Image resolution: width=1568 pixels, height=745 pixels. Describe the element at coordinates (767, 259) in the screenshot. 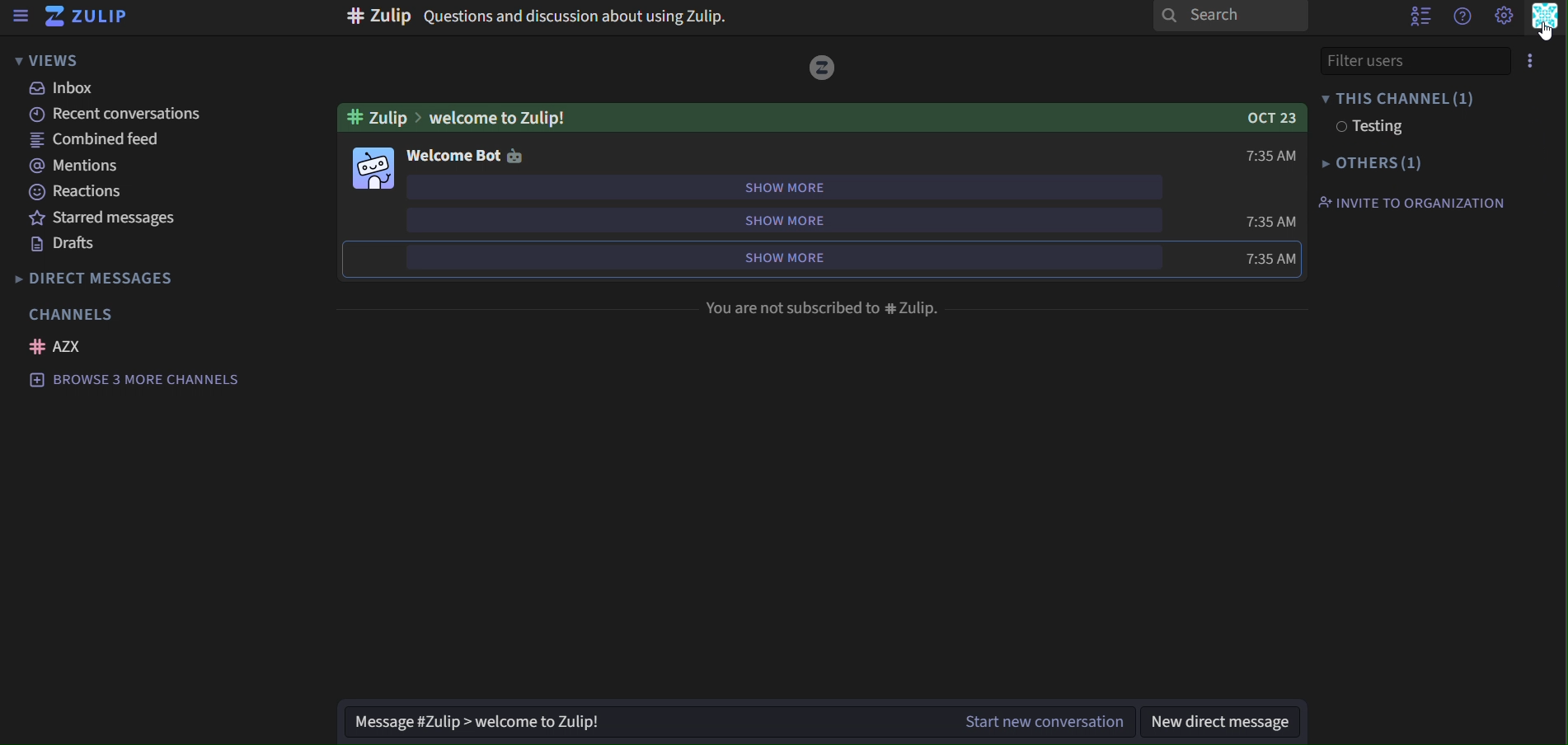

I see `show more` at that location.